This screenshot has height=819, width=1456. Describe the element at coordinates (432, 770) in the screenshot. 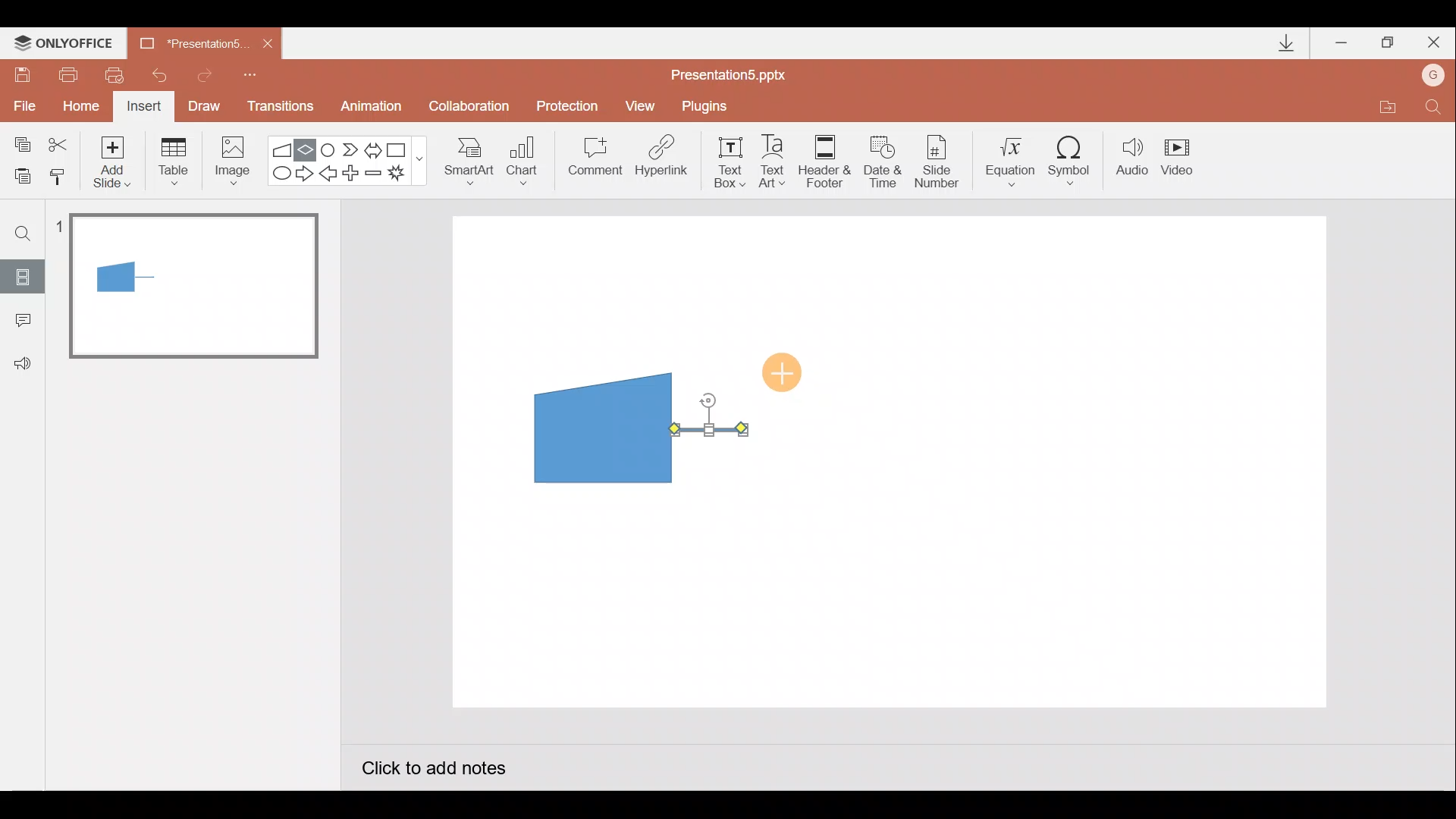

I see `Click to add notes` at that location.